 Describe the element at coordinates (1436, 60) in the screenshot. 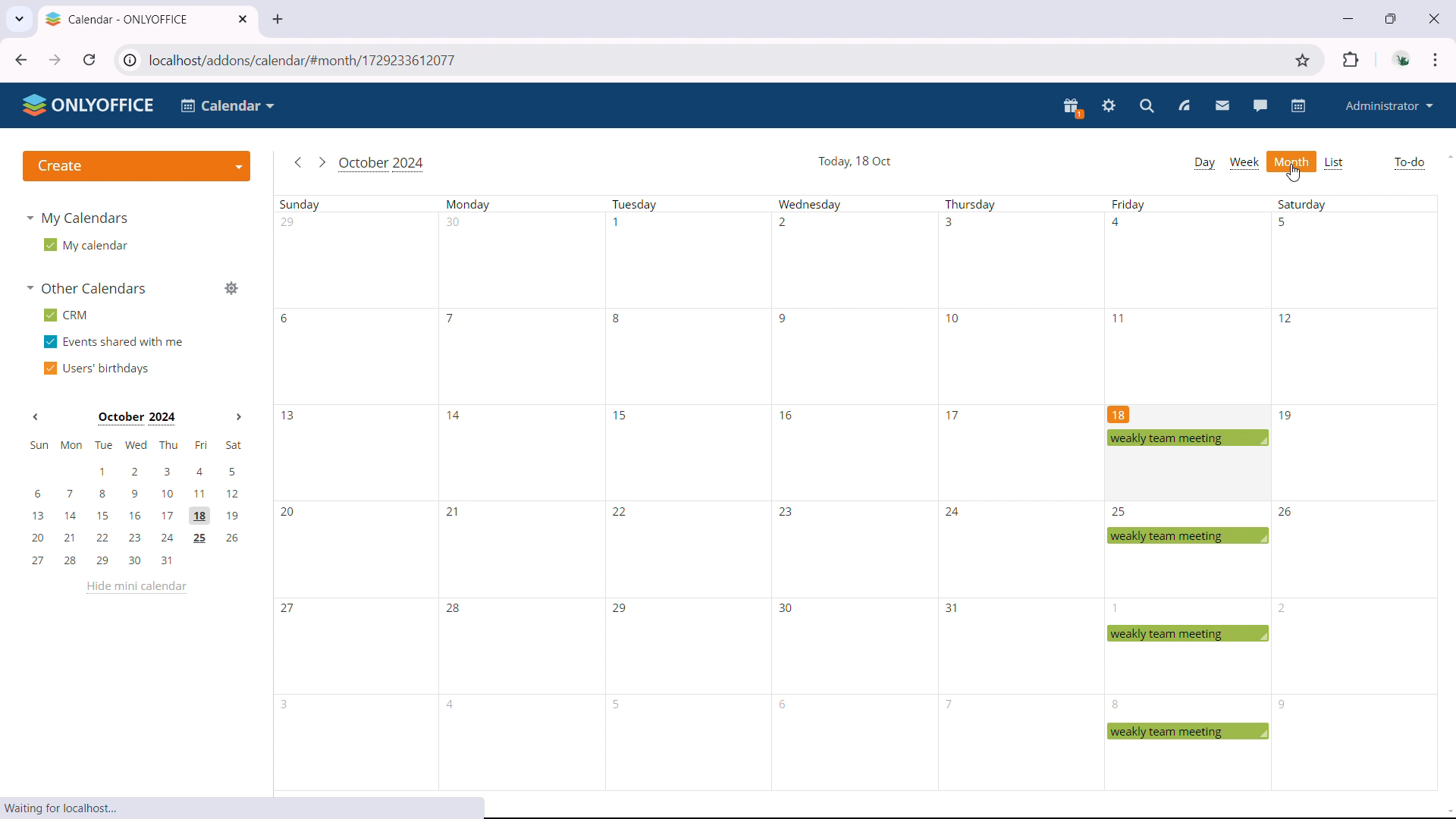

I see `customize and control` at that location.